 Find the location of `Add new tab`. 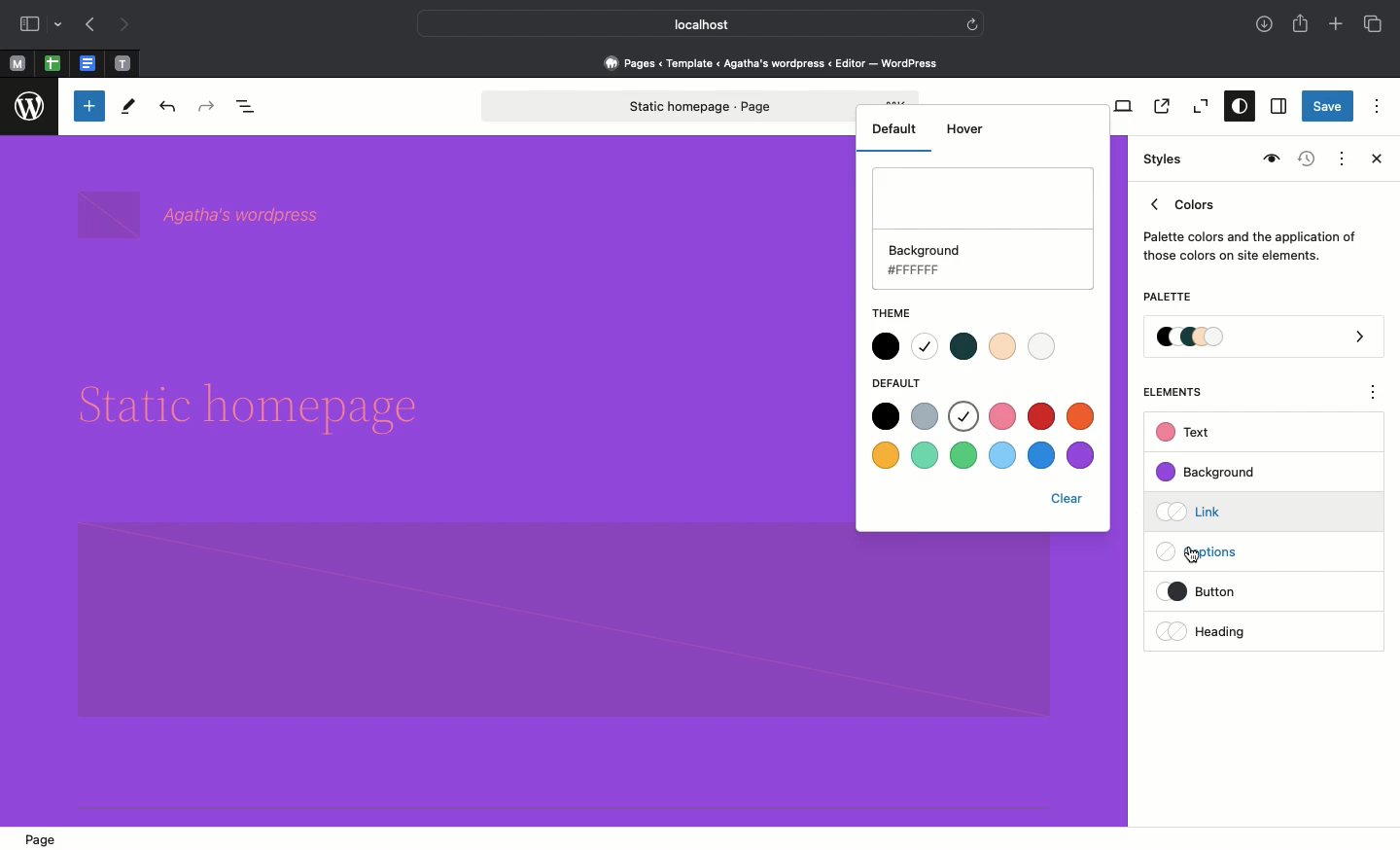

Add new tab is located at coordinates (1338, 26).